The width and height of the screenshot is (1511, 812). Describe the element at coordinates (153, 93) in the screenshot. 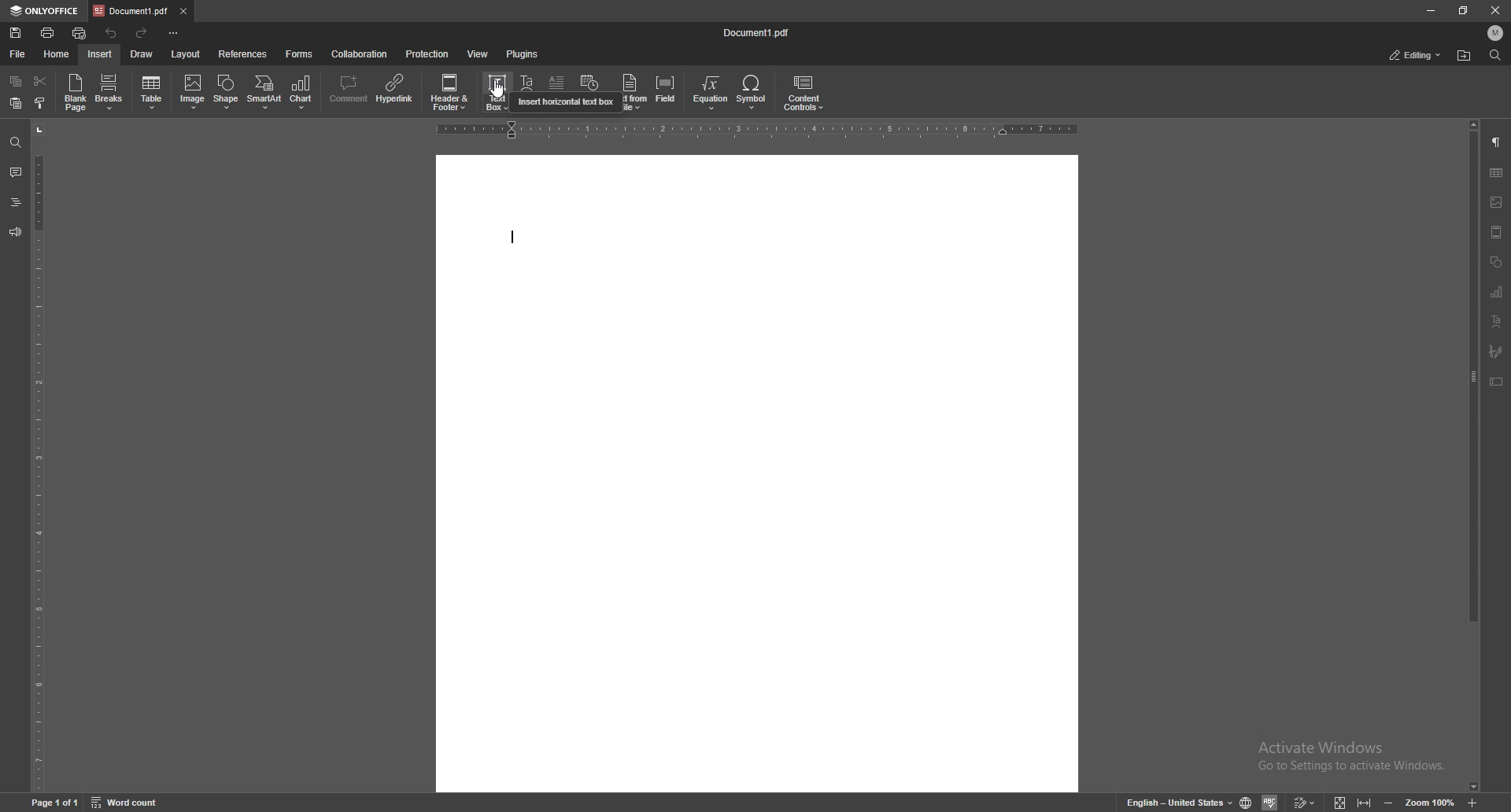

I see `table` at that location.